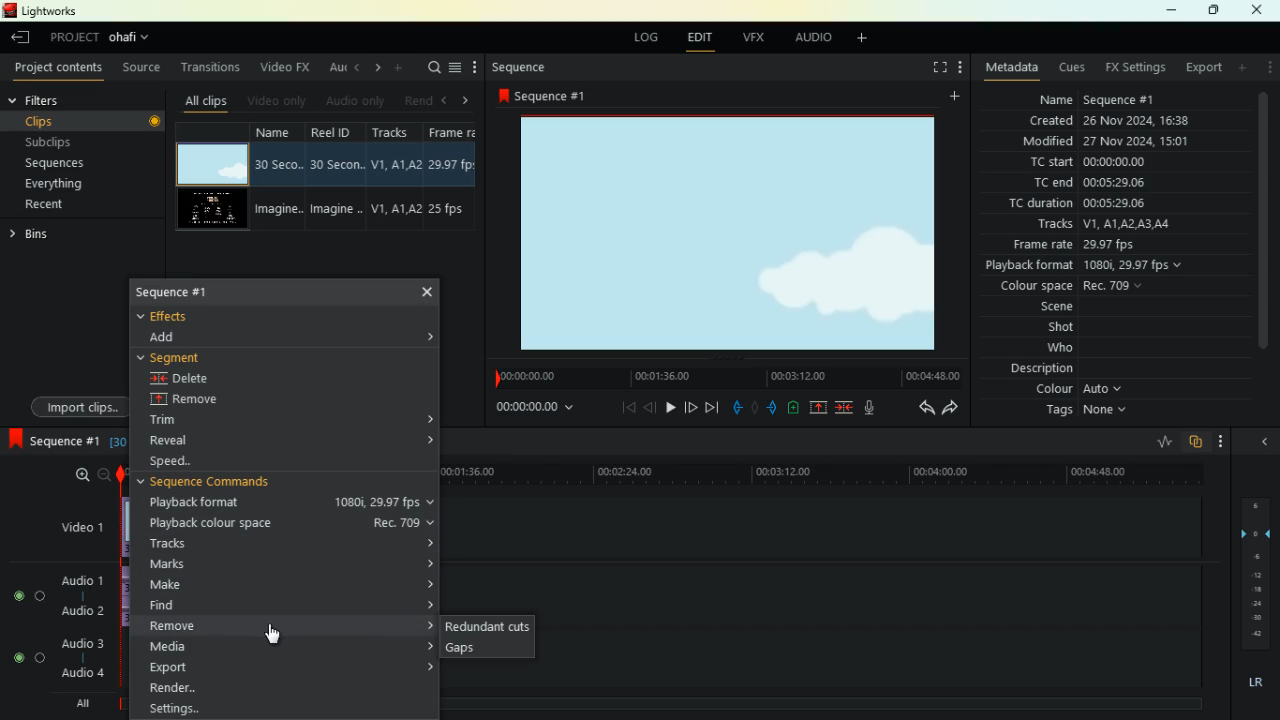 The image size is (1280, 720). What do you see at coordinates (178, 315) in the screenshot?
I see `effects` at bounding box center [178, 315].